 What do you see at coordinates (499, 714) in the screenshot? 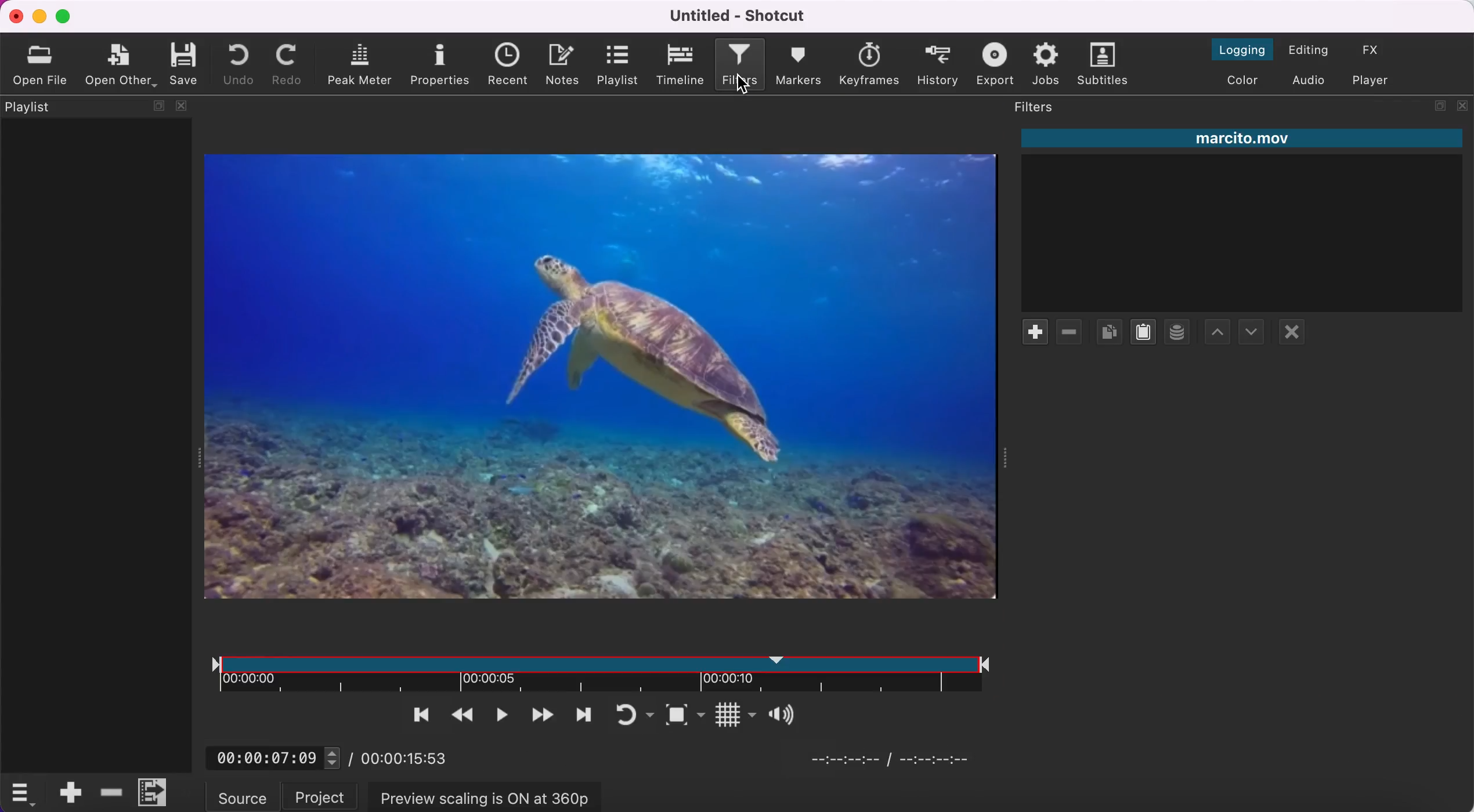
I see `toggle play or pause` at bounding box center [499, 714].